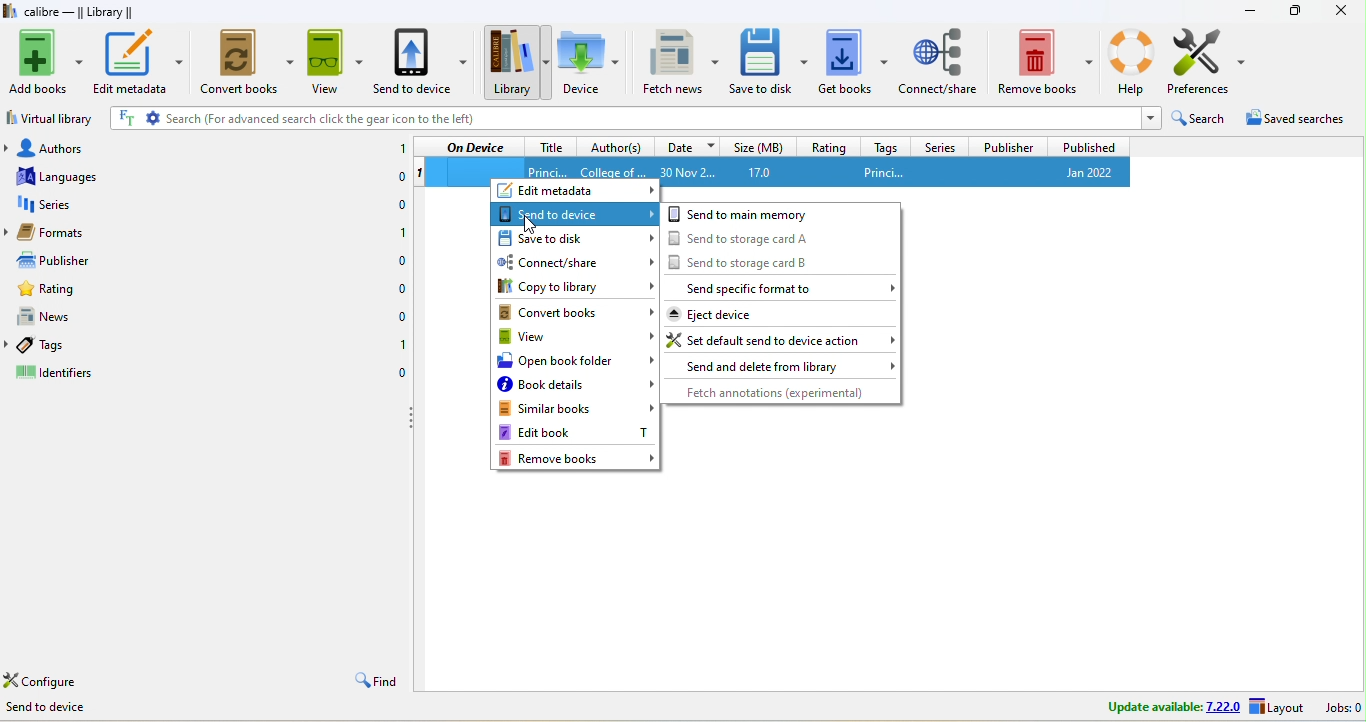  I want to click on jan 2022, so click(1082, 172).